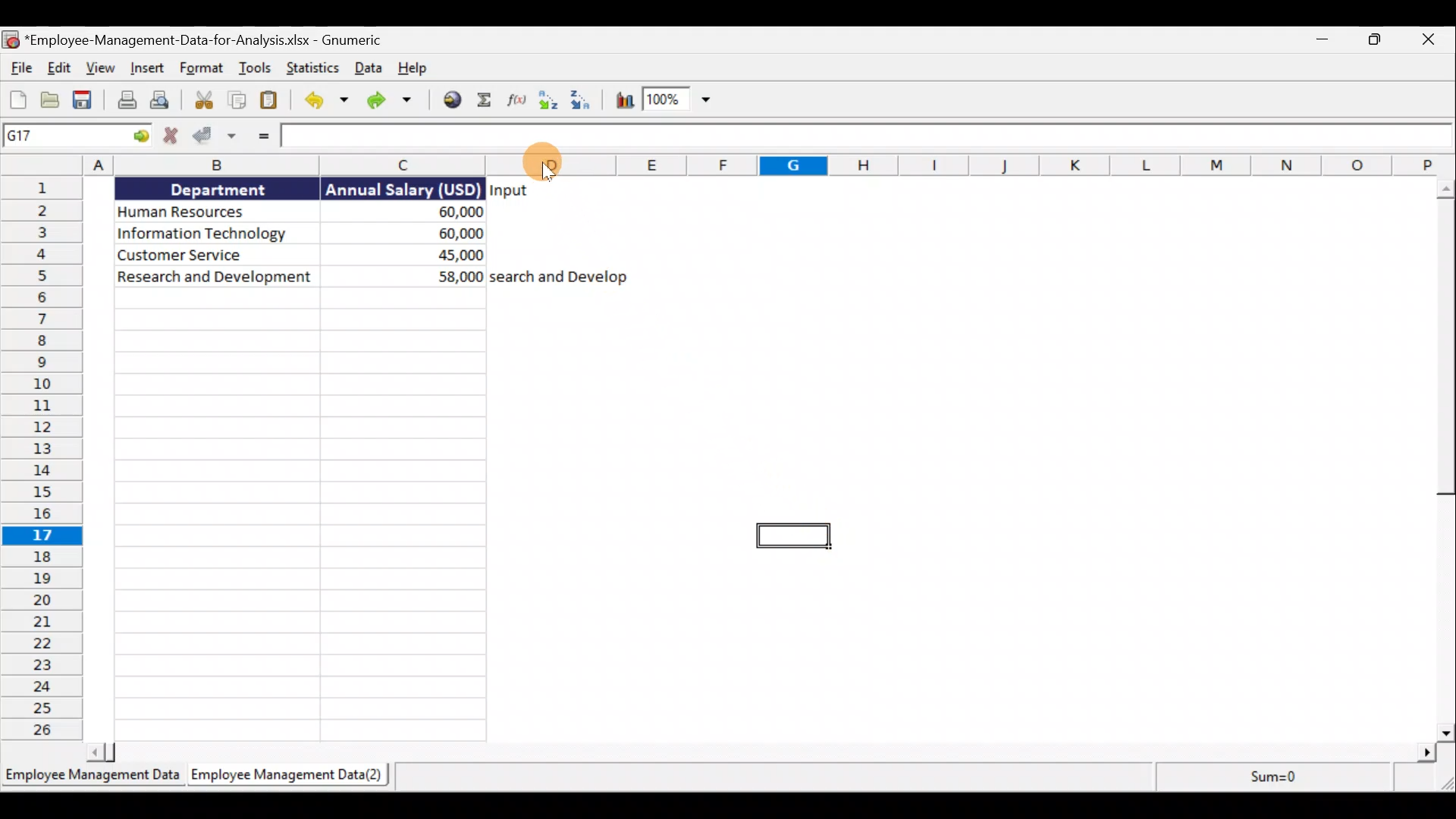 This screenshot has width=1456, height=819. What do you see at coordinates (18, 63) in the screenshot?
I see `File` at bounding box center [18, 63].